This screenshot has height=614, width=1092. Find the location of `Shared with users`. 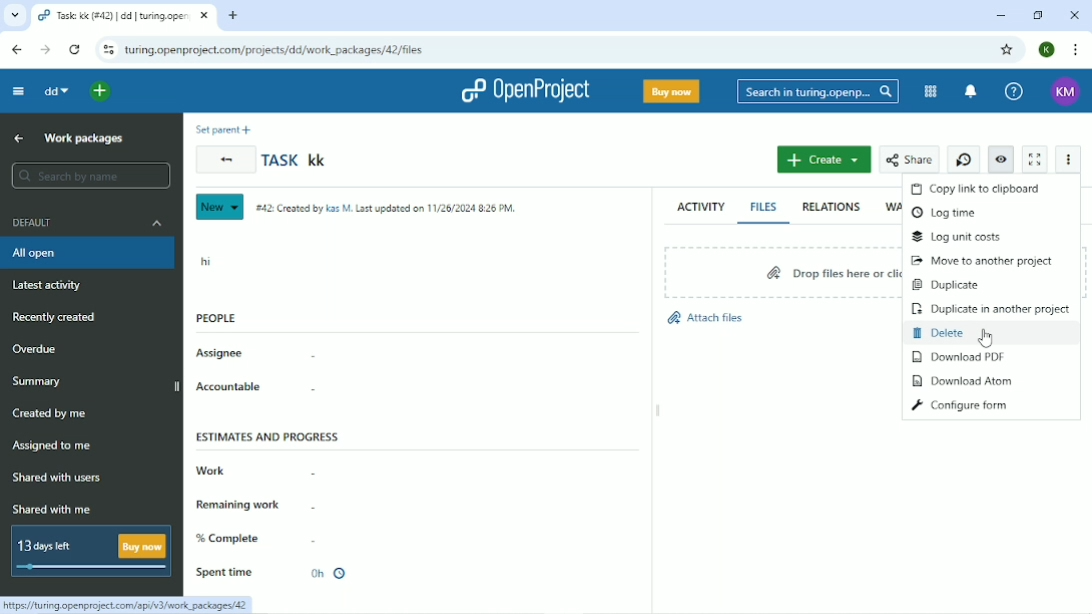

Shared with users is located at coordinates (59, 478).